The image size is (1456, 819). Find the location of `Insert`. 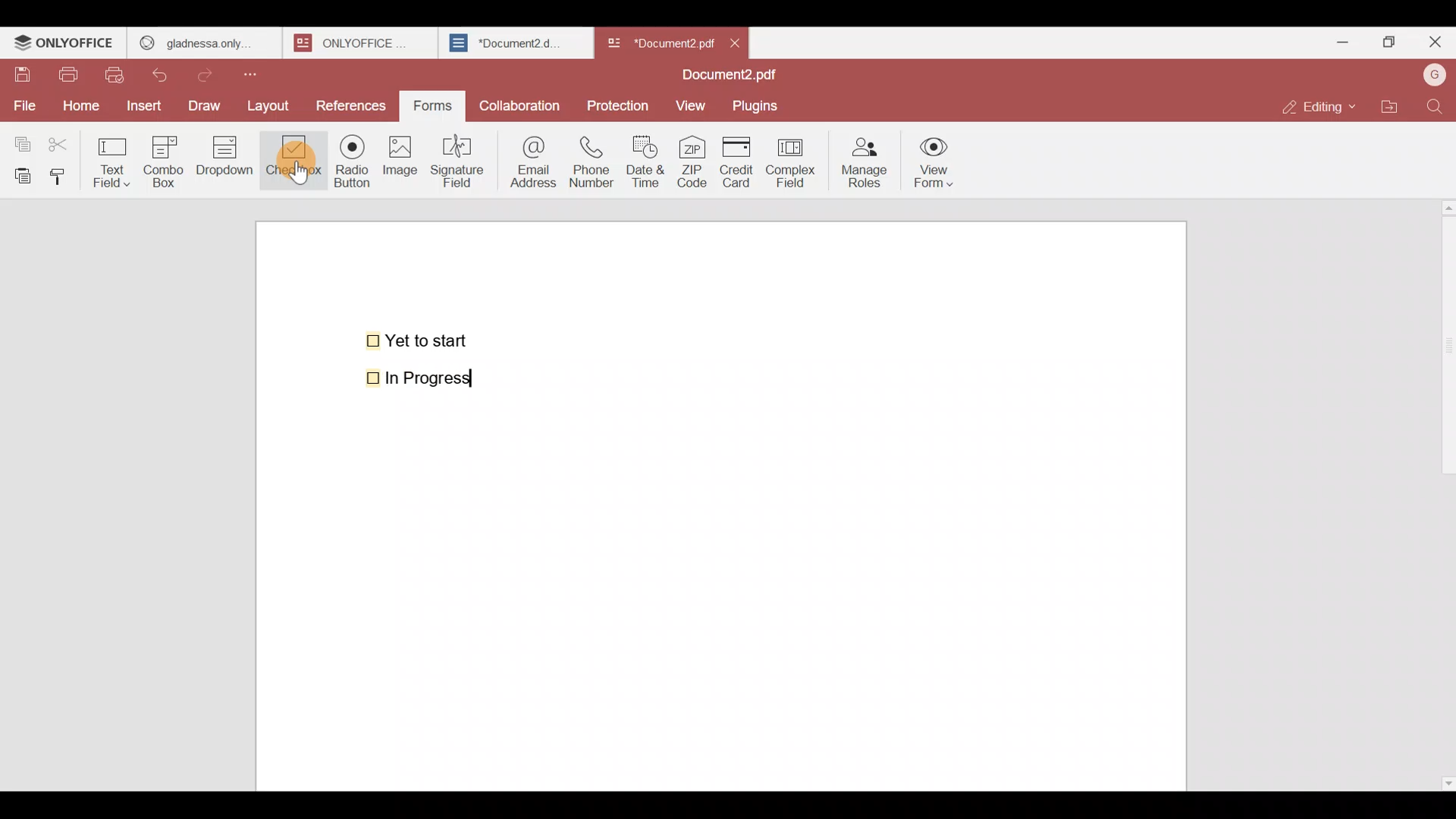

Insert is located at coordinates (142, 105).